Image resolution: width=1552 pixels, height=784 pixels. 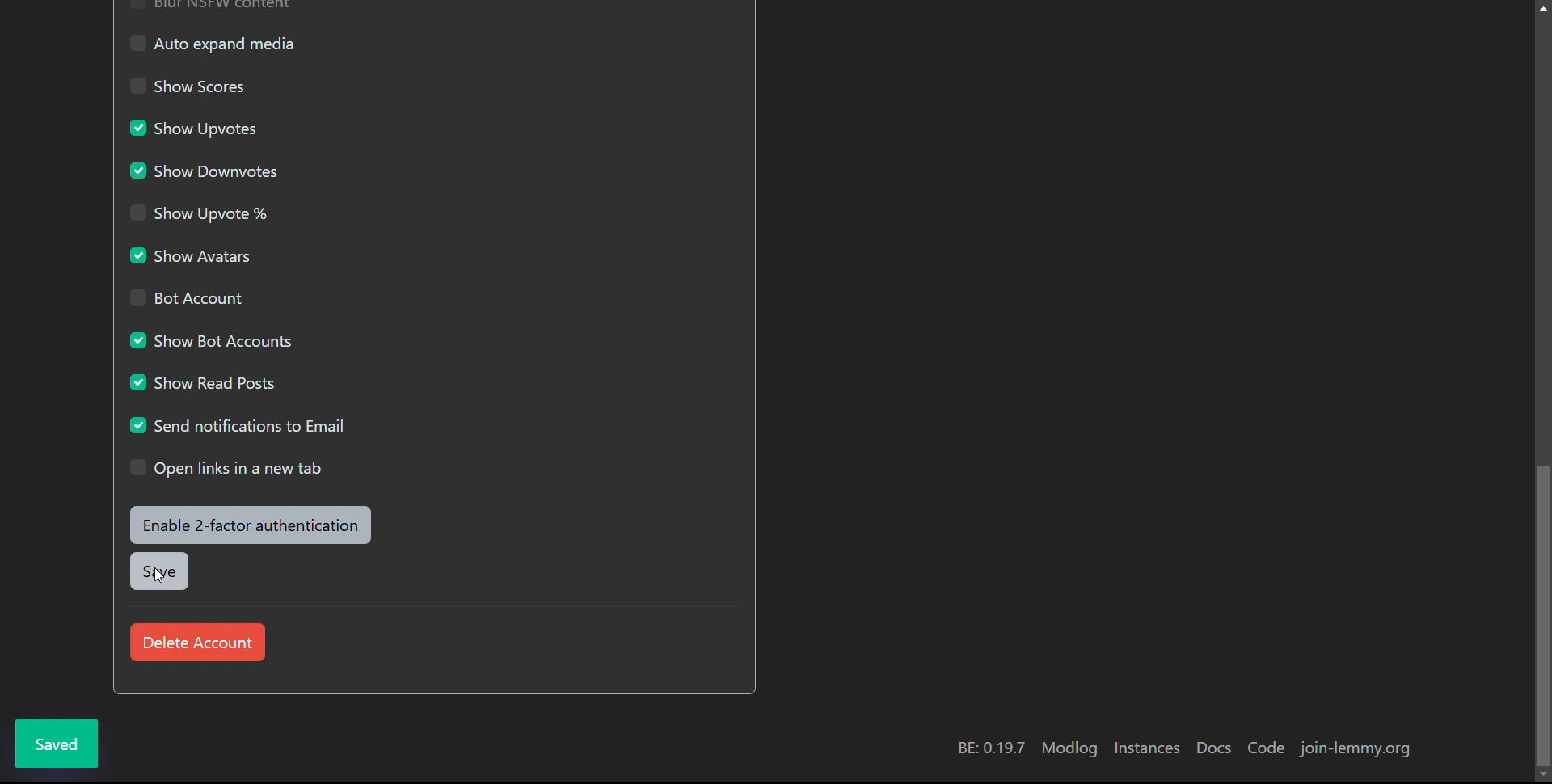 I want to click on show read posts, so click(x=203, y=381).